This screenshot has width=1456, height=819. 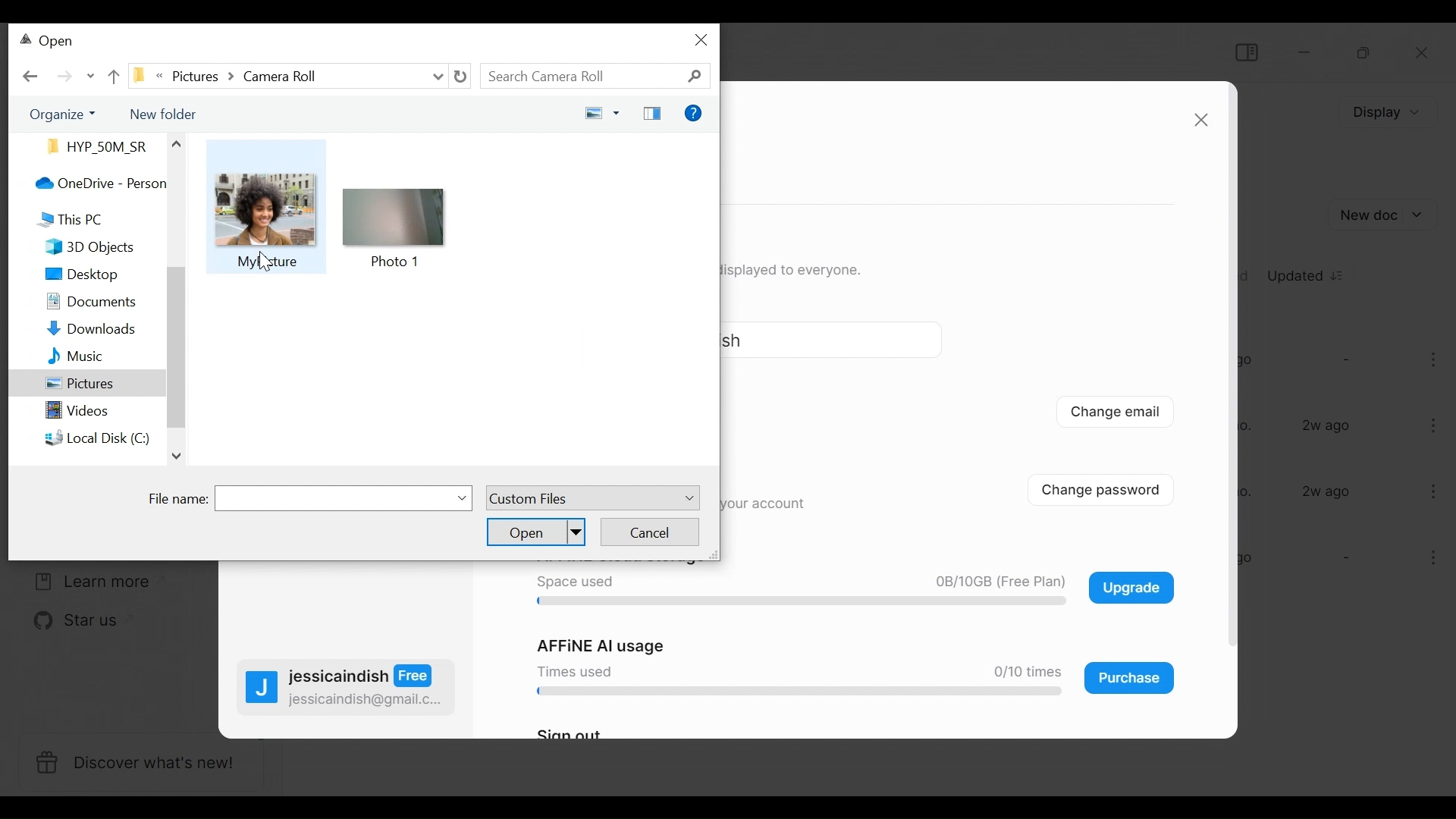 I want to click on Downloads, so click(x=78, y=330).